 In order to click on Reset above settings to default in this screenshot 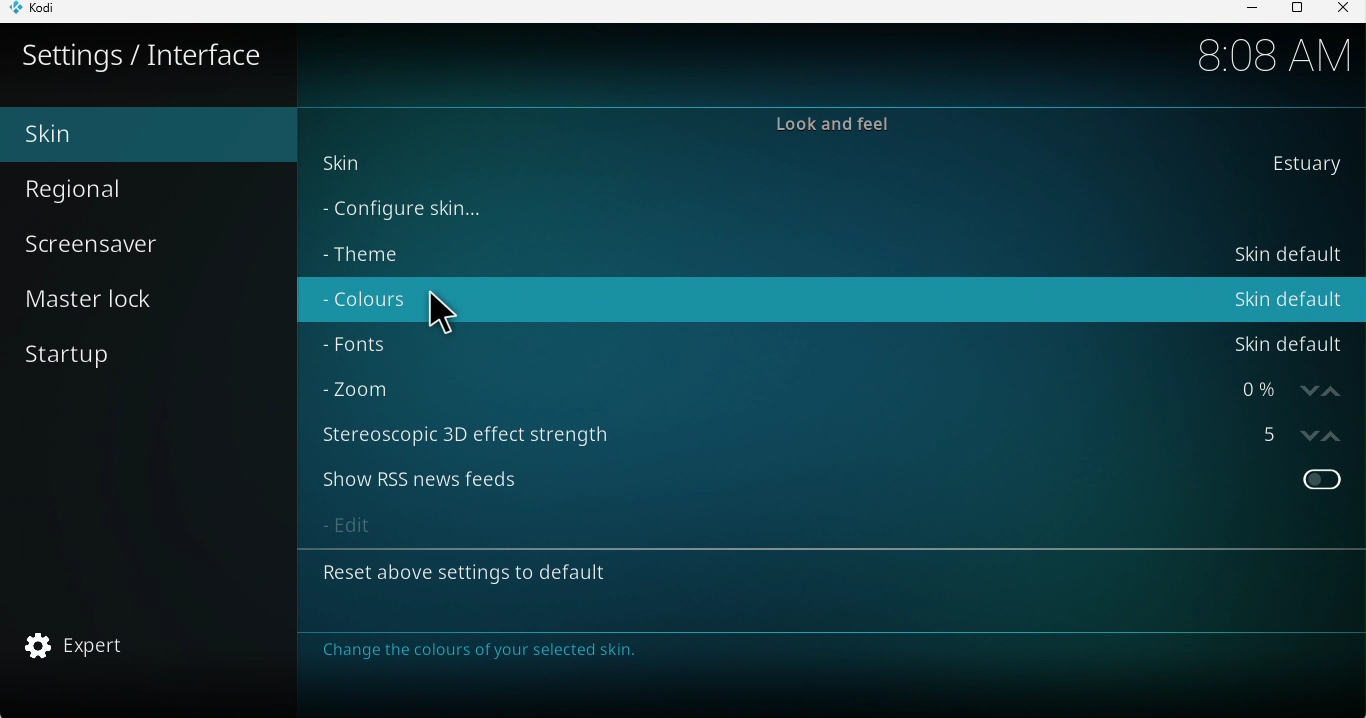, I will do `click(822, 578)`.